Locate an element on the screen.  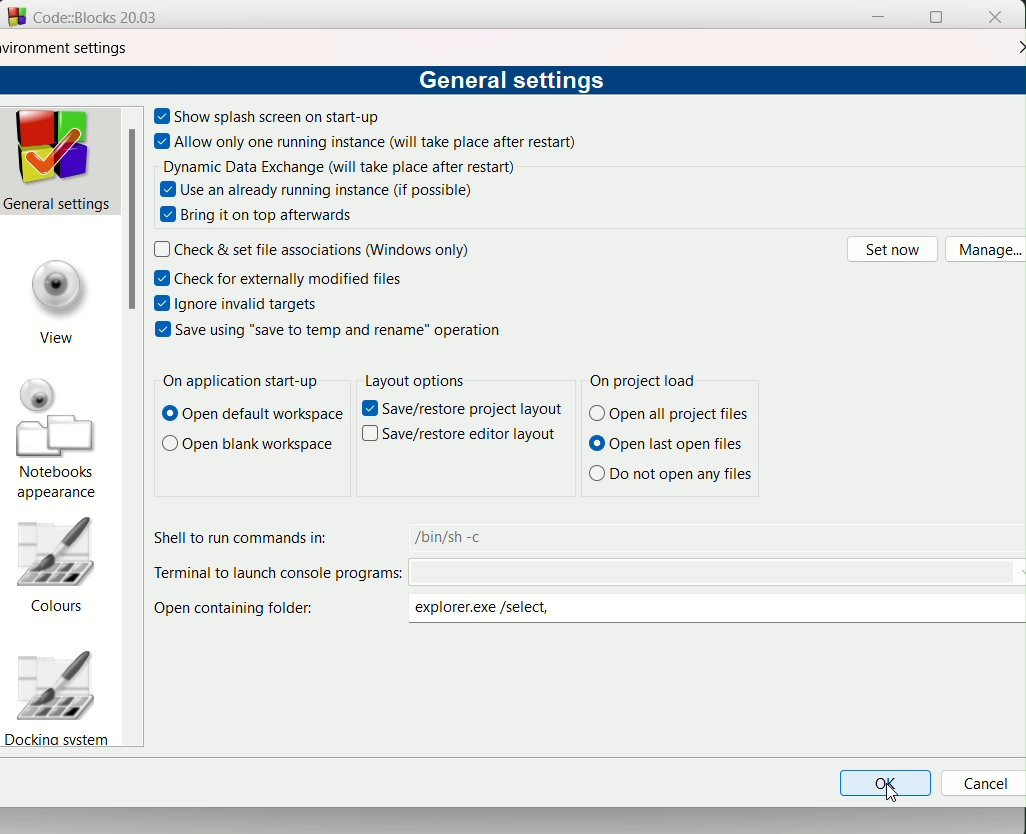
open default workspace is located at coordinates (250, 418).